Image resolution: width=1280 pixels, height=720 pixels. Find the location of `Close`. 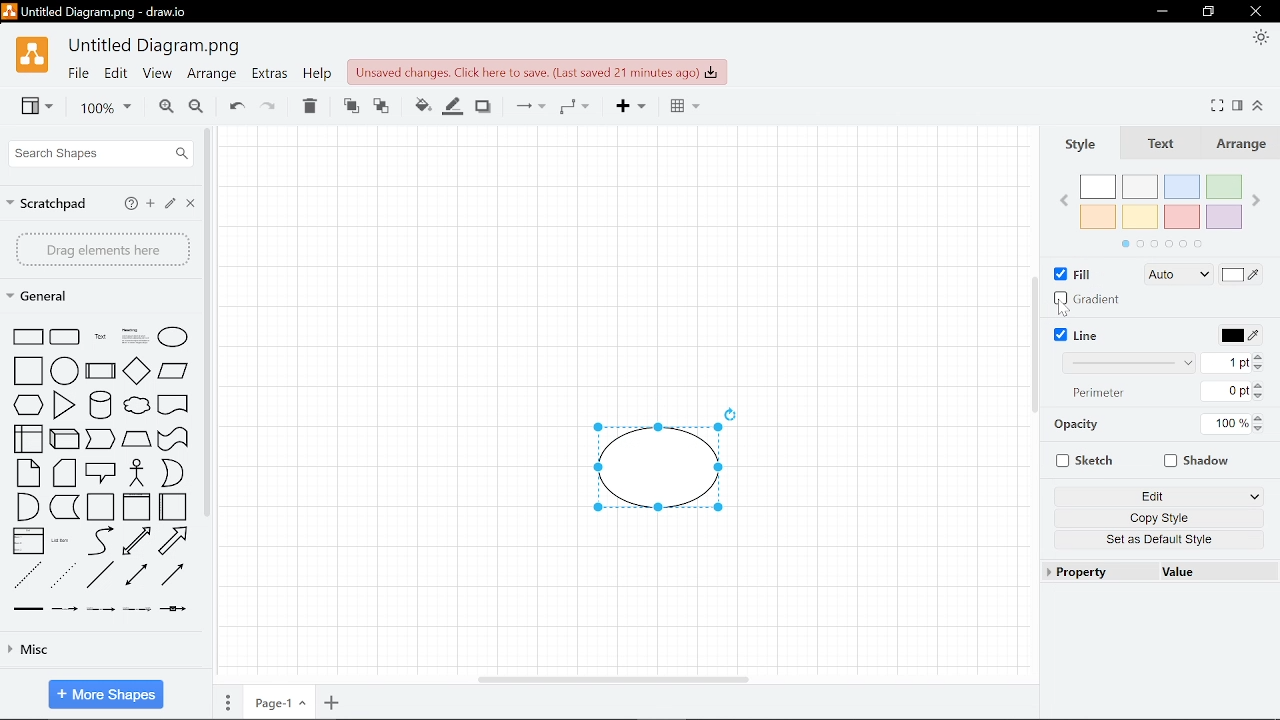

Close is located at coordinates (191, 203).